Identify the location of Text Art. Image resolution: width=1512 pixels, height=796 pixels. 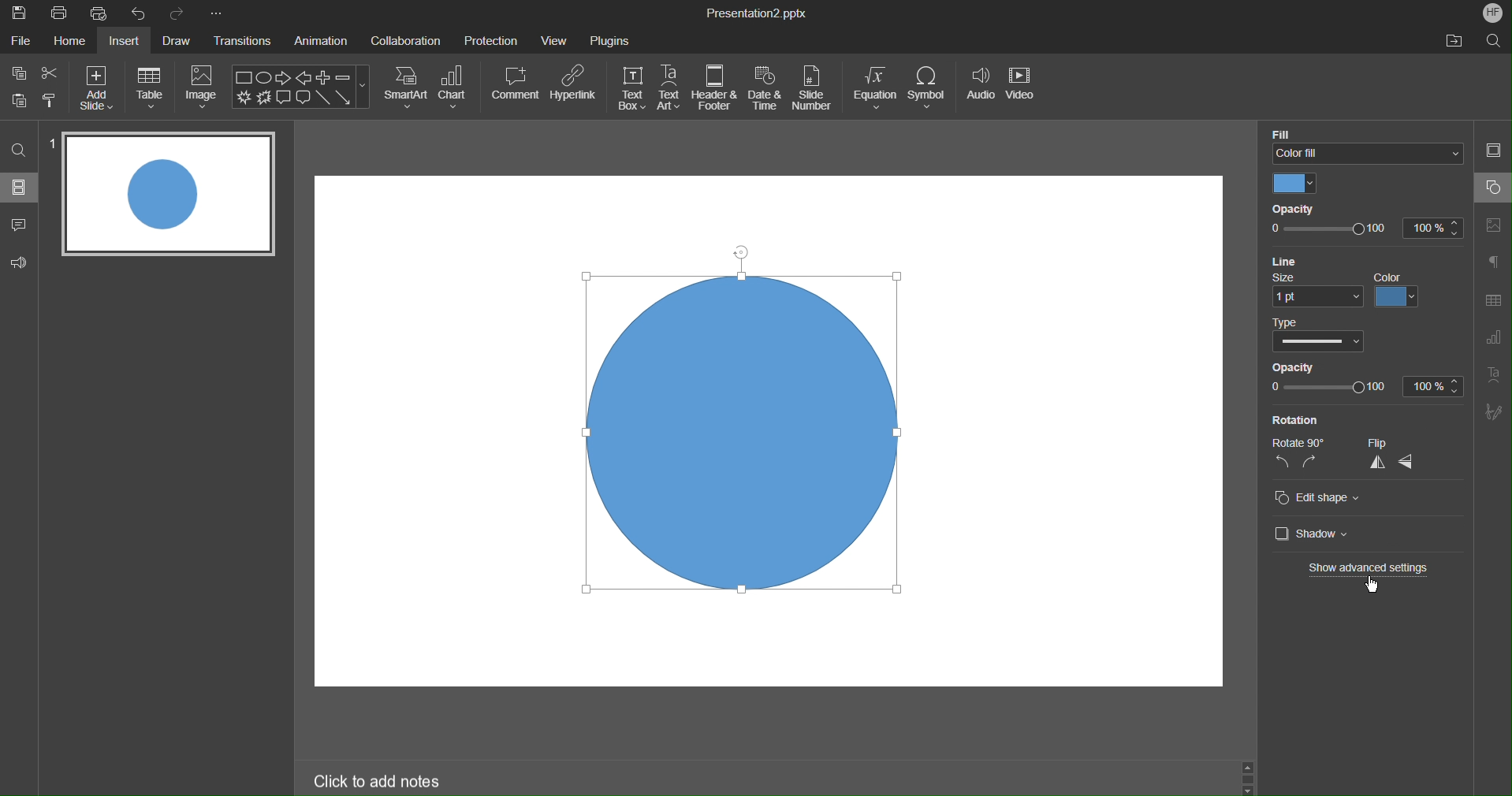
(1495, 379).